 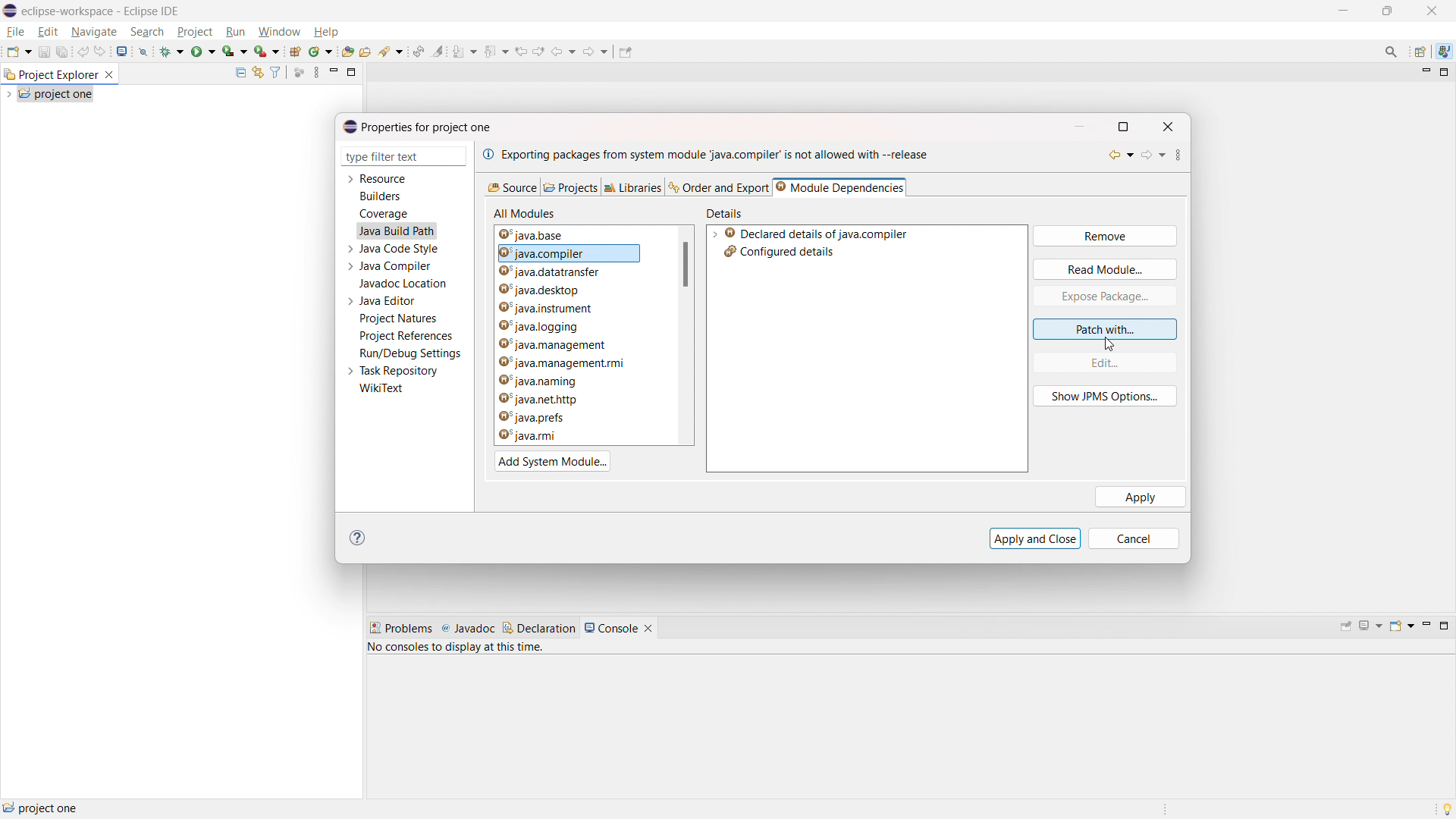 What do you see at coordinates (1141, 538) in the screenshot?
I see `cancel` at bounding box center [1141, 538].